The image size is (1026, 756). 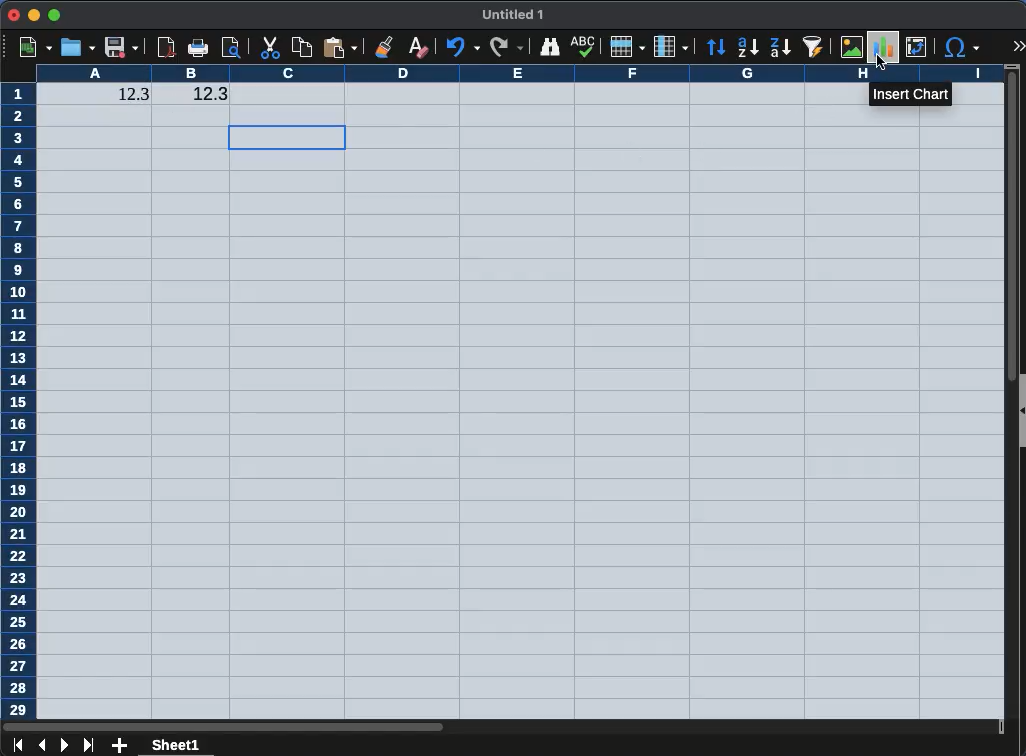 I want to click on untitled 1, so click(x=512, y=15).